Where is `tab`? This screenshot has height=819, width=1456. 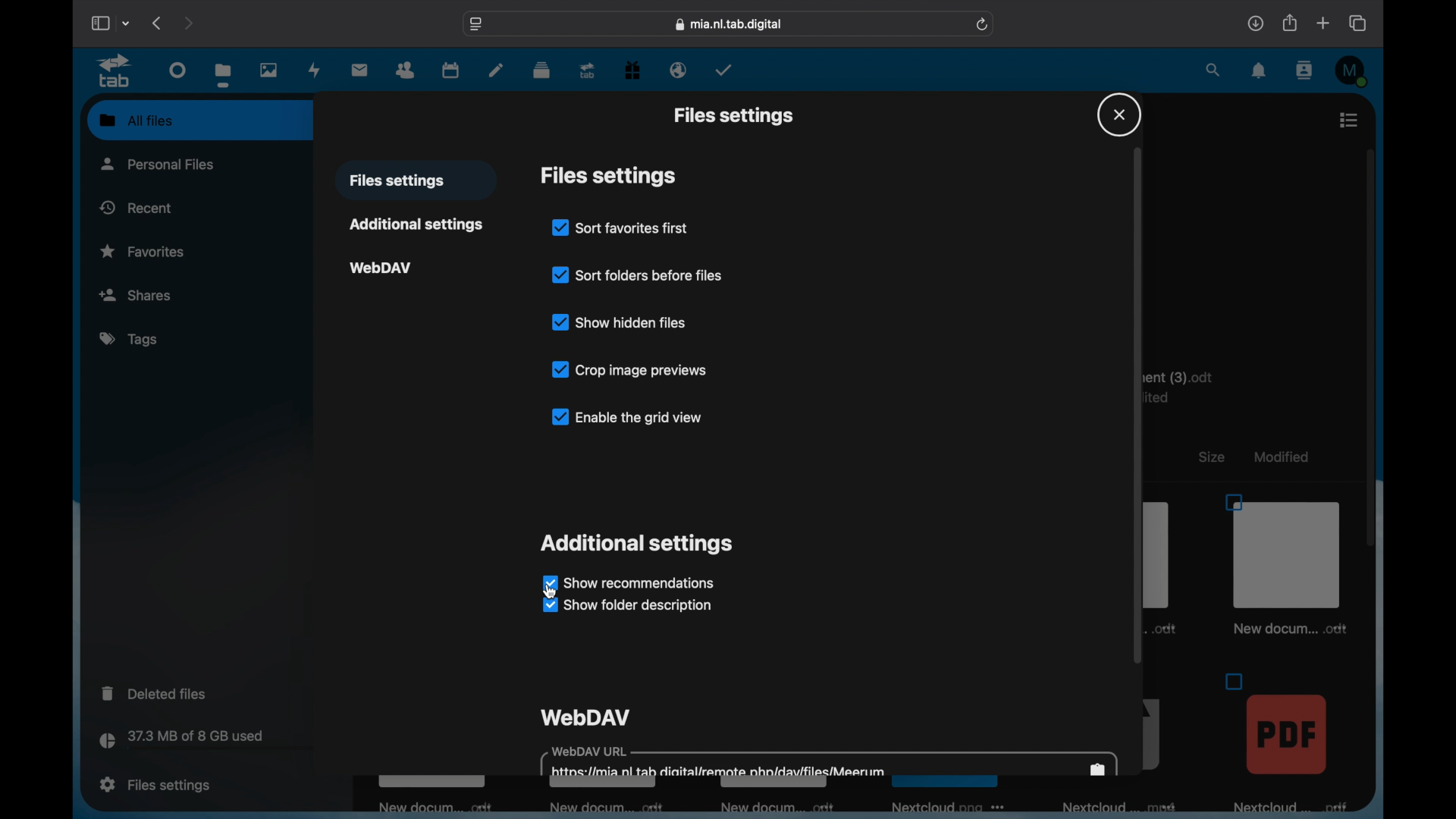 tab is located at coordinates (115, 71).